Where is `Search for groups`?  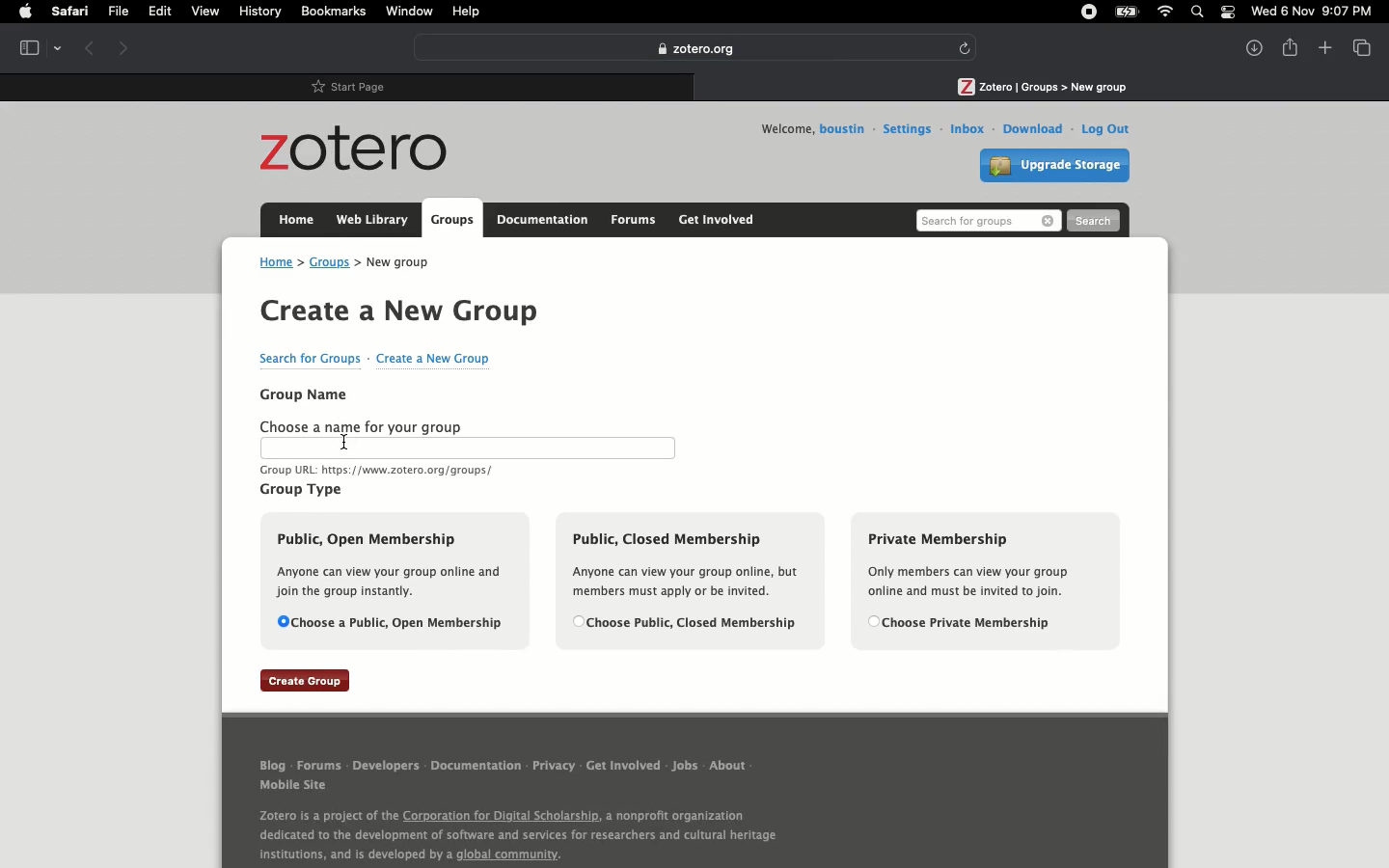 Search for groups is located at coordinates (308, 359).